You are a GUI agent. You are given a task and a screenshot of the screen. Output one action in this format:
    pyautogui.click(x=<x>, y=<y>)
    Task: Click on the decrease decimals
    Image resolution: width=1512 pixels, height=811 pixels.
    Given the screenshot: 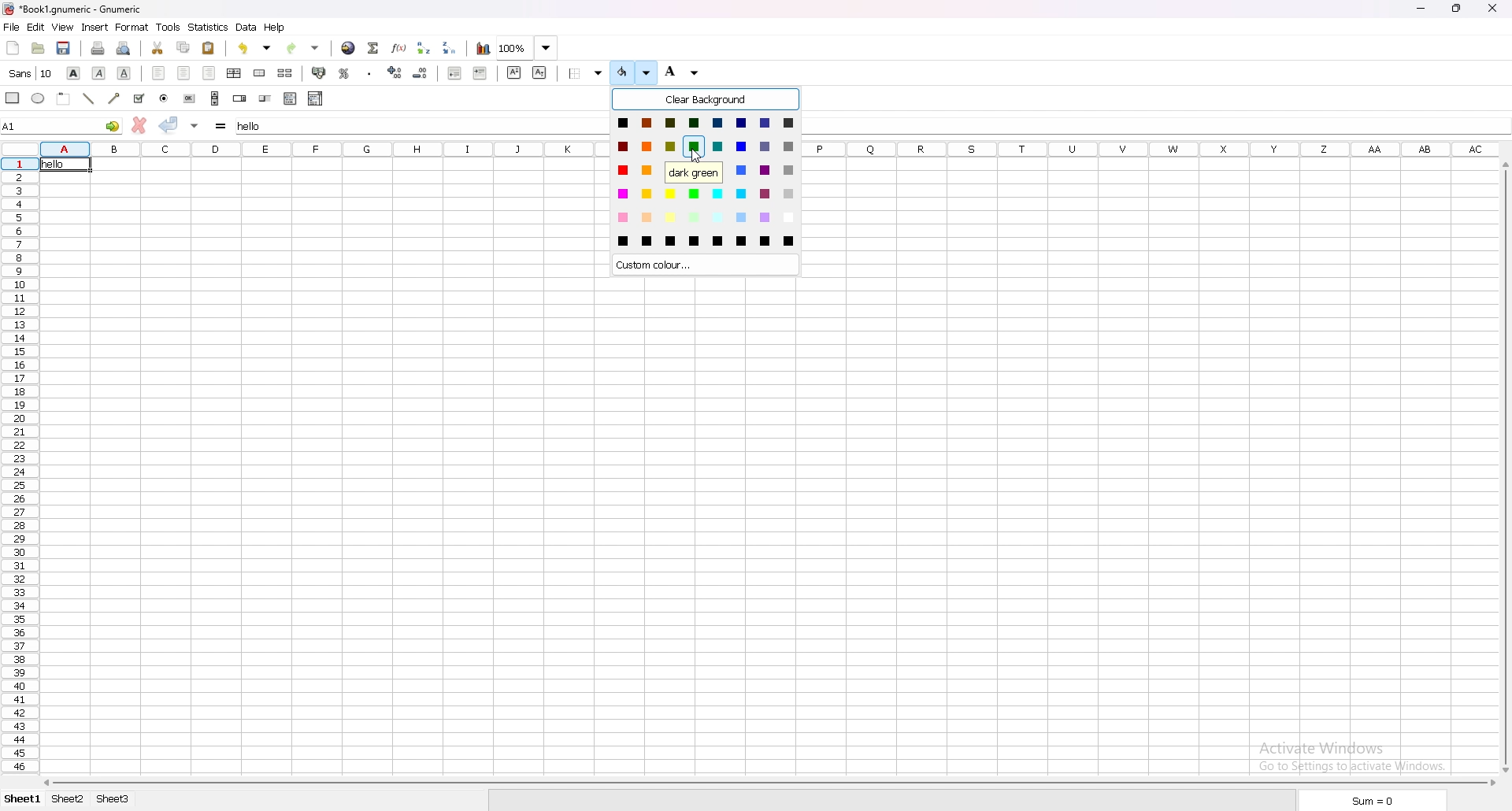 What is the action you would take?
    pyautogui.click(x=421, y=72)
    